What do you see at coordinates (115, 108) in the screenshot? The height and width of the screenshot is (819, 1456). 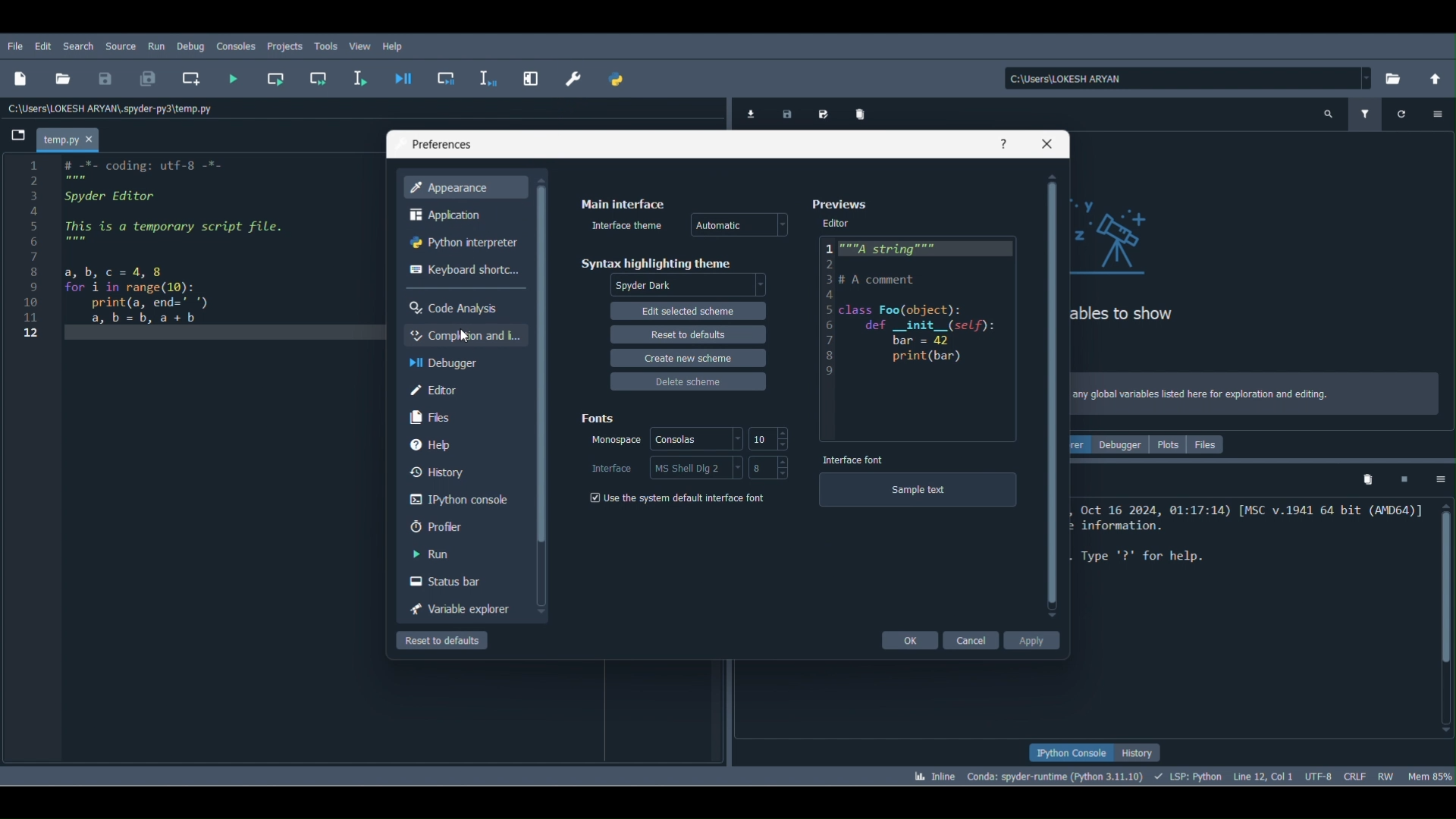 I see `File location` at bounding box center [115, 108].